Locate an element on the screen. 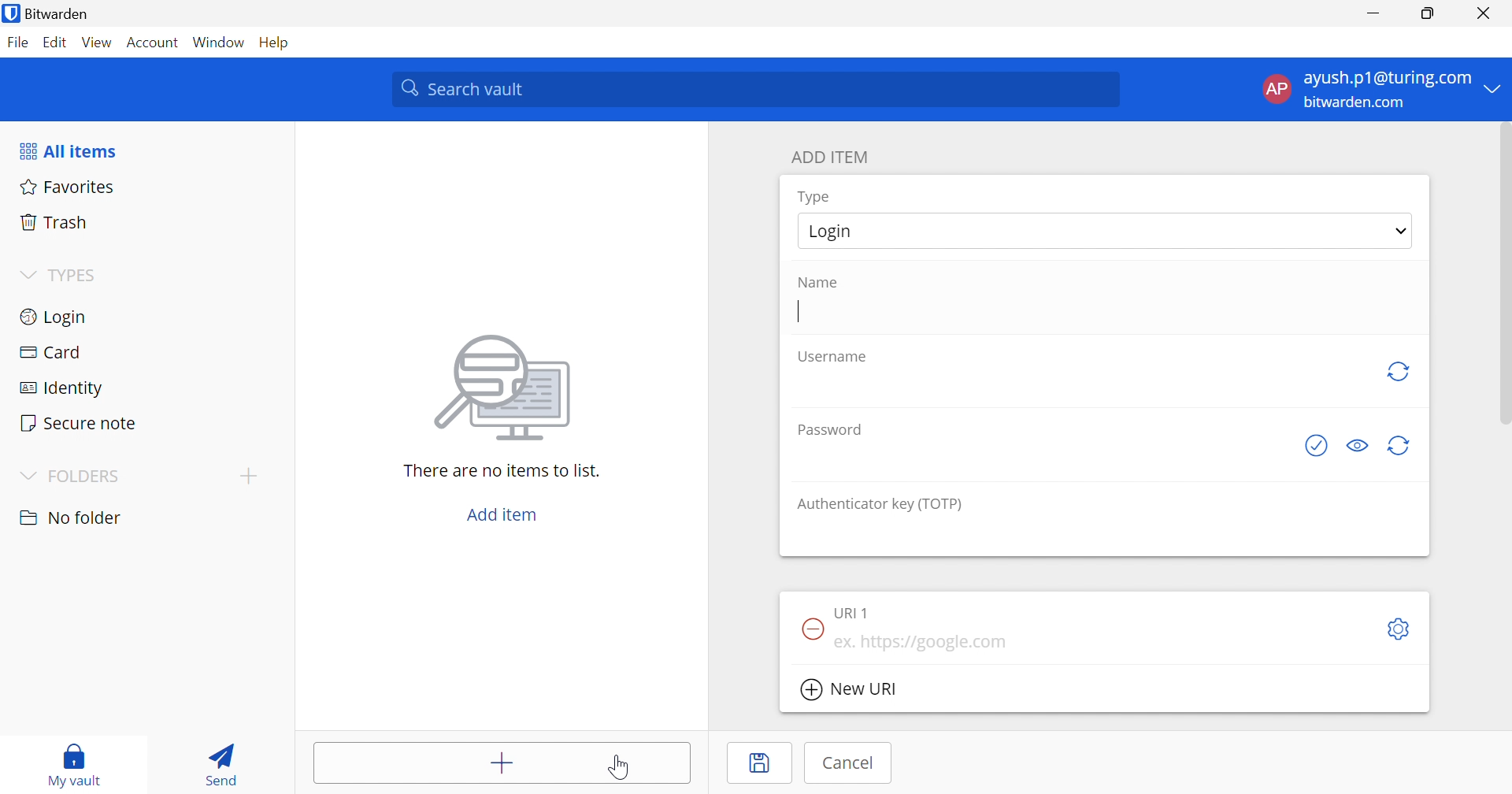 The width and height of the screenshot is (1512, 794). All items is located at coordinates (67, 151).